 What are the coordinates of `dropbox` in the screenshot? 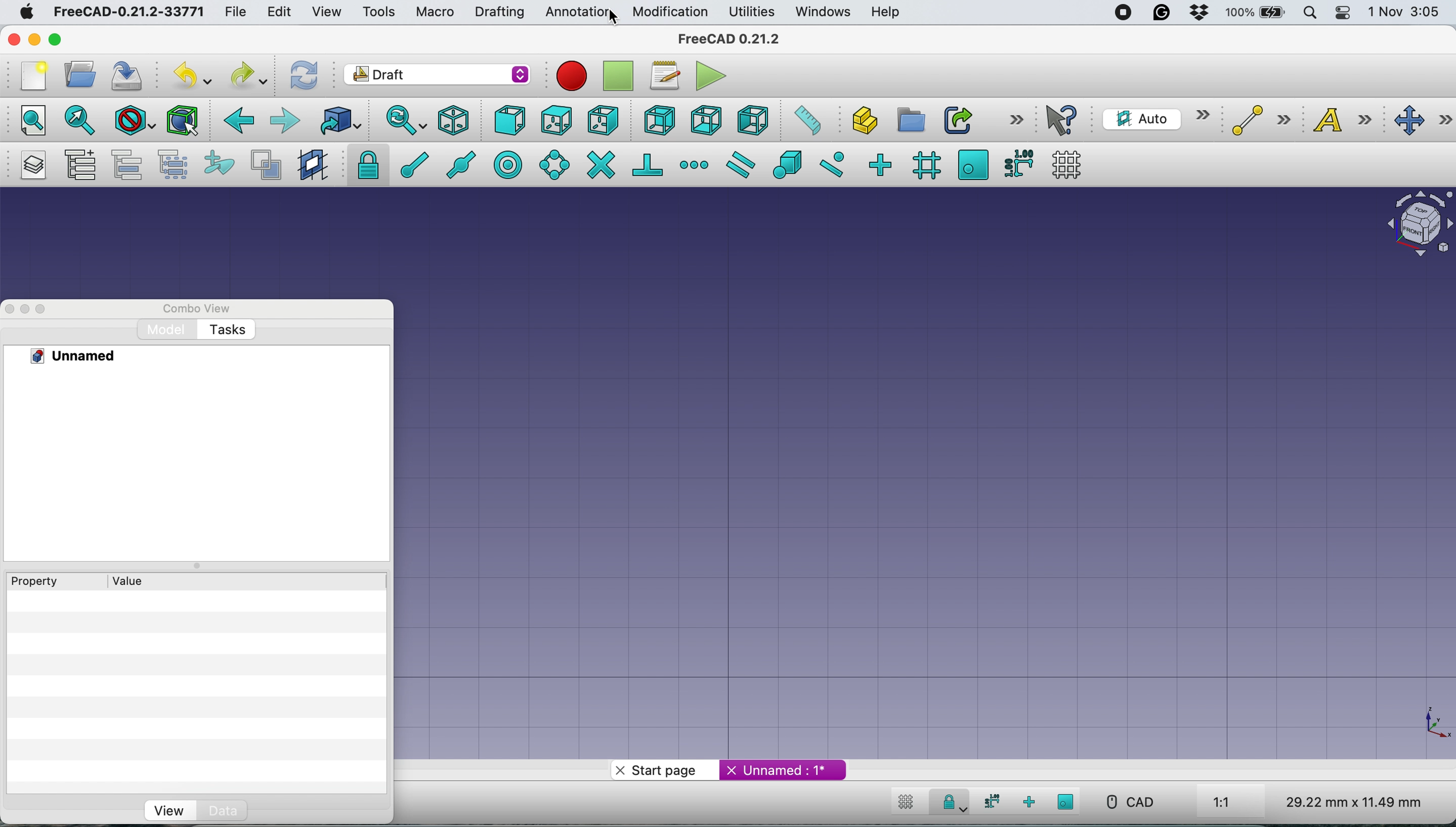 It's located at (1200, 14).